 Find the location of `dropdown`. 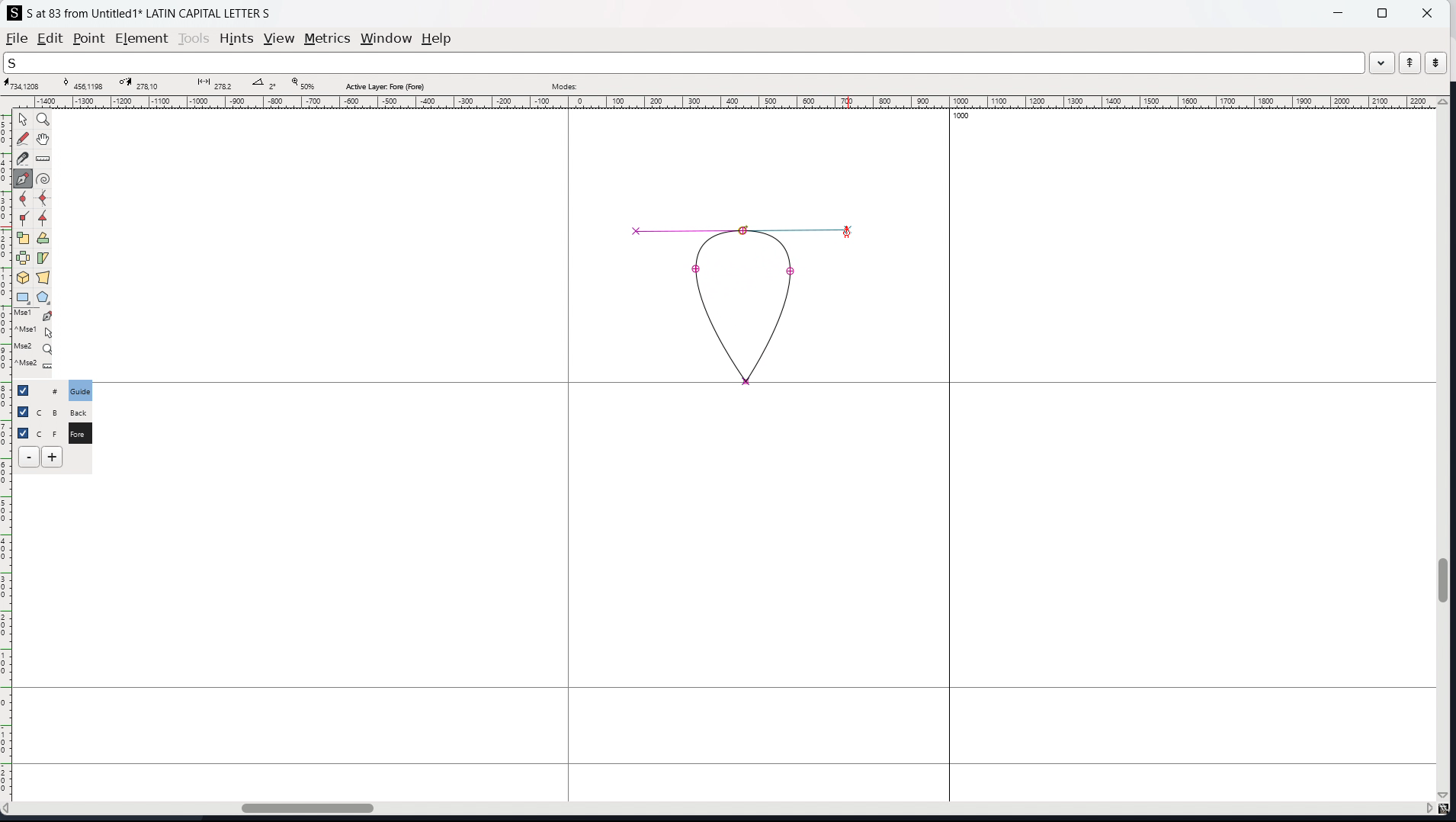

dropdown is located at coordinates (1382, 62).